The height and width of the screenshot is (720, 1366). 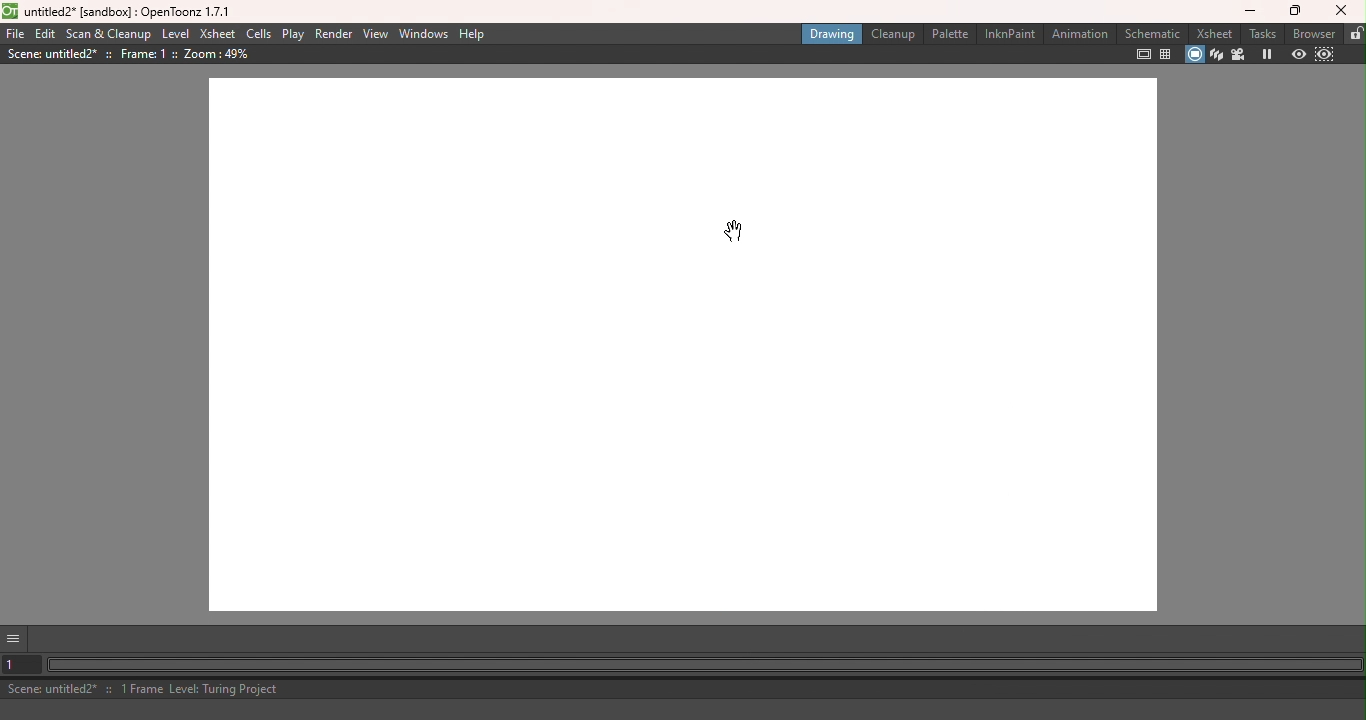 I want to click on File, so click(x=13, y=33).